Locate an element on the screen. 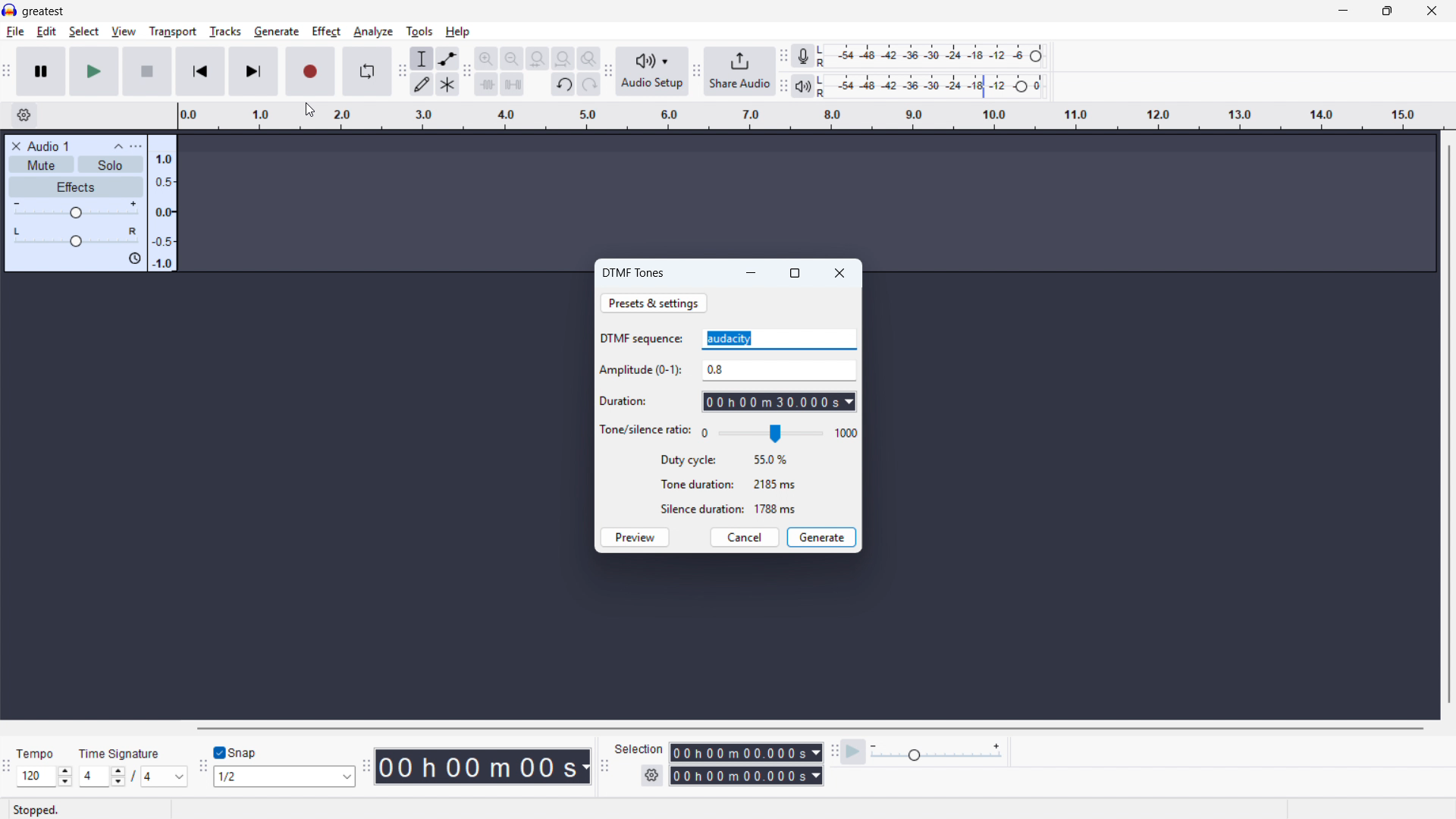 Image resolution: width=1456 pixels, height=819 pixels. recording level is located at coordinates (936, 56).